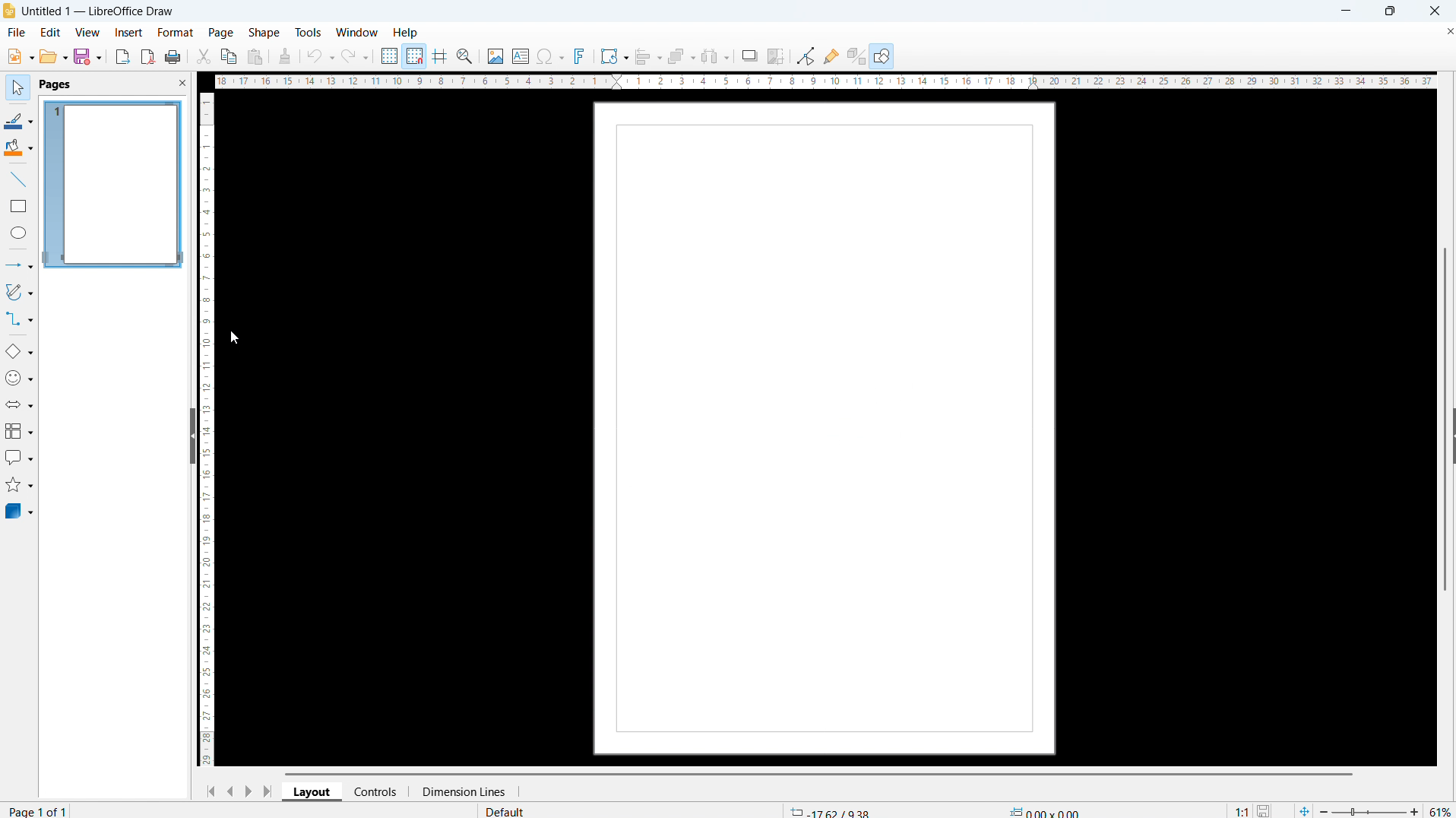  What do you see at coordinates (19, 320) in the screenshot?
I see `connectors` at bounding box center [19, 320].